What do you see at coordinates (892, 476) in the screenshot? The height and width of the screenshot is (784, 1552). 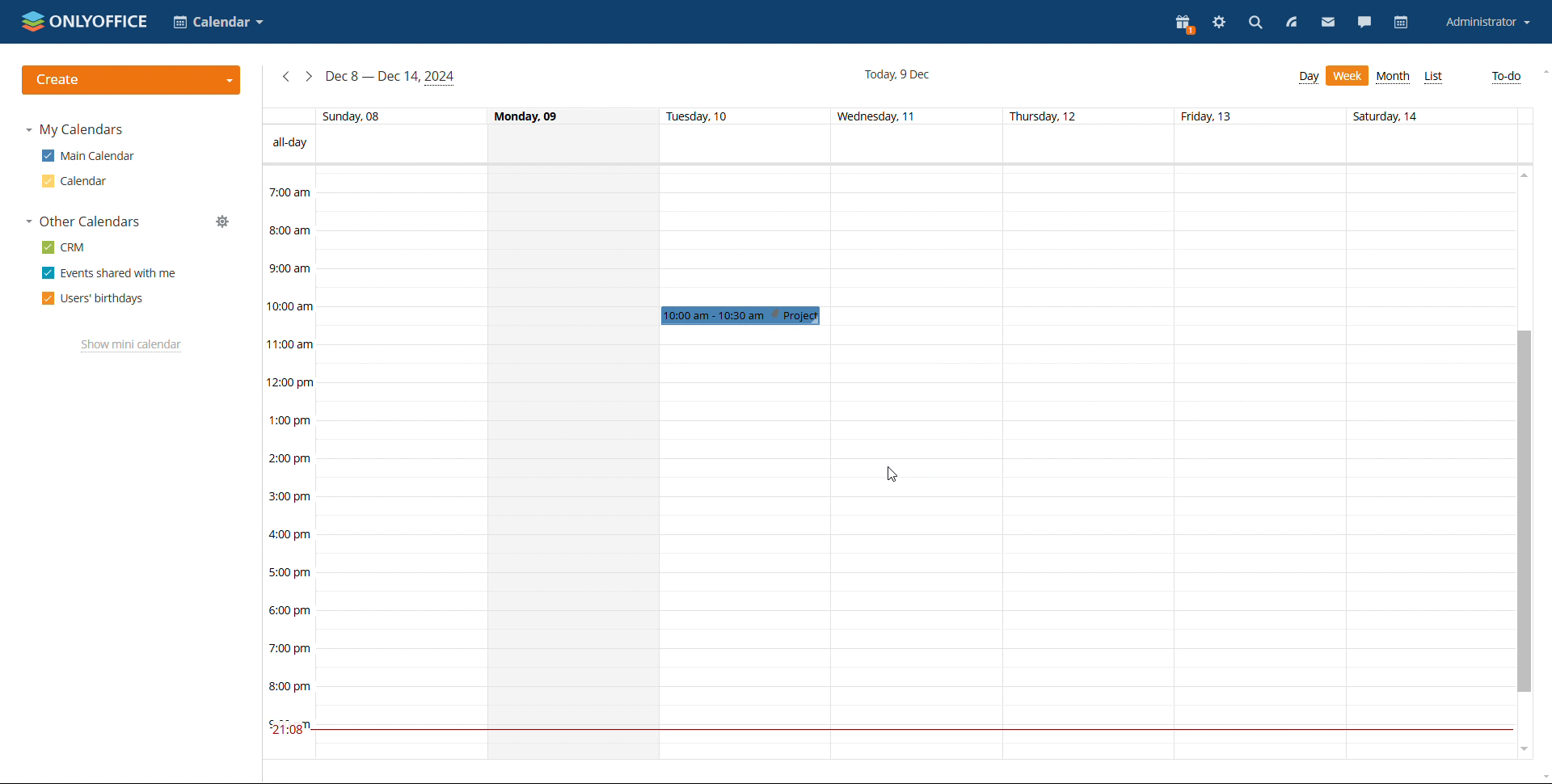 I see `cursor` at bounding box center [892, 476].